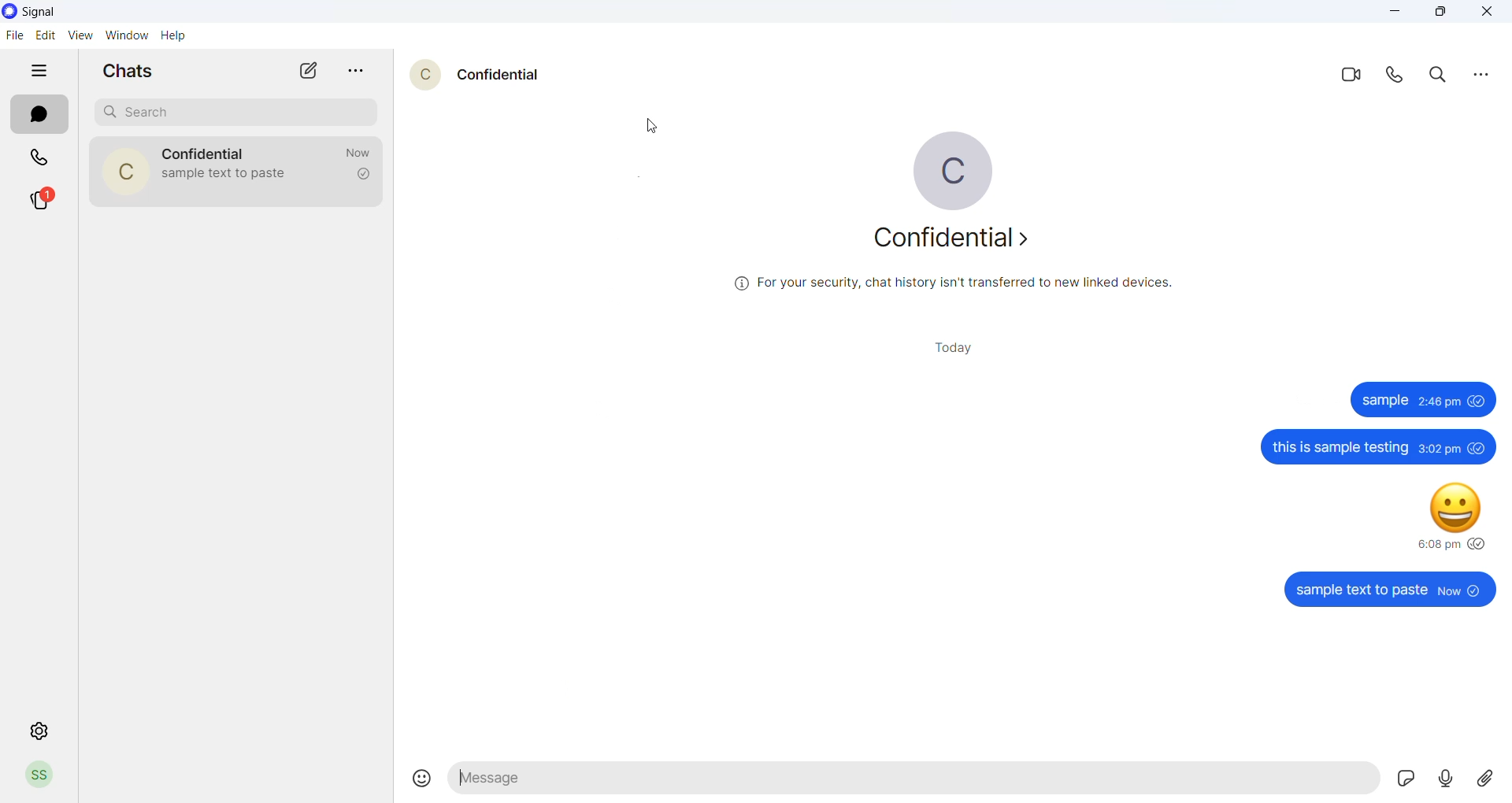 This screenshot has width=1512, height=803. Describe the element at coordinates (417, 775) in the screenshot. I see `emojis` at that location.